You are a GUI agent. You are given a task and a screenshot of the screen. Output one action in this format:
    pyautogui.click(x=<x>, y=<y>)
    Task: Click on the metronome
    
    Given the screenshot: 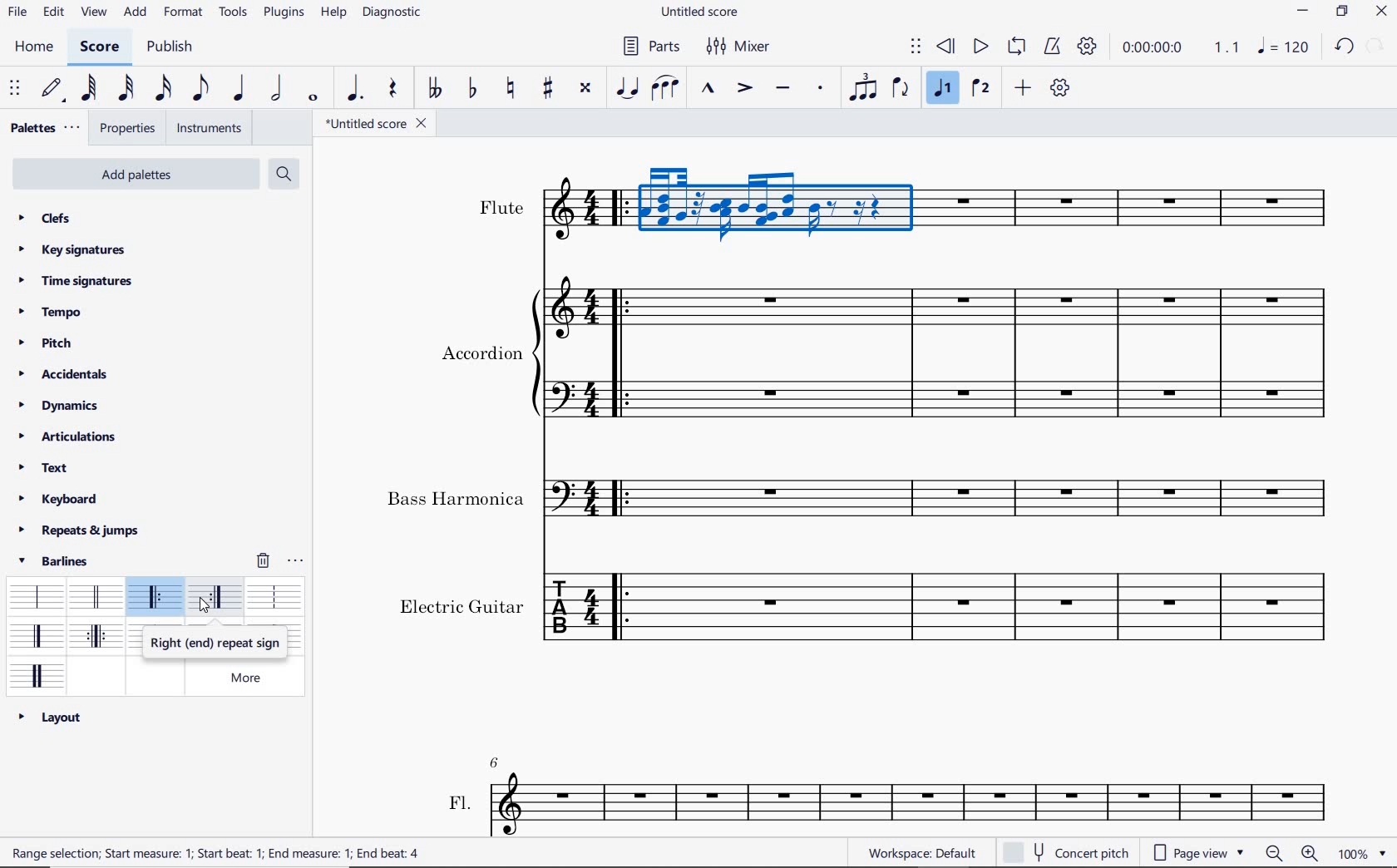 What is the action you would take?
    pyautogui.click(x=1055, y=47)
    